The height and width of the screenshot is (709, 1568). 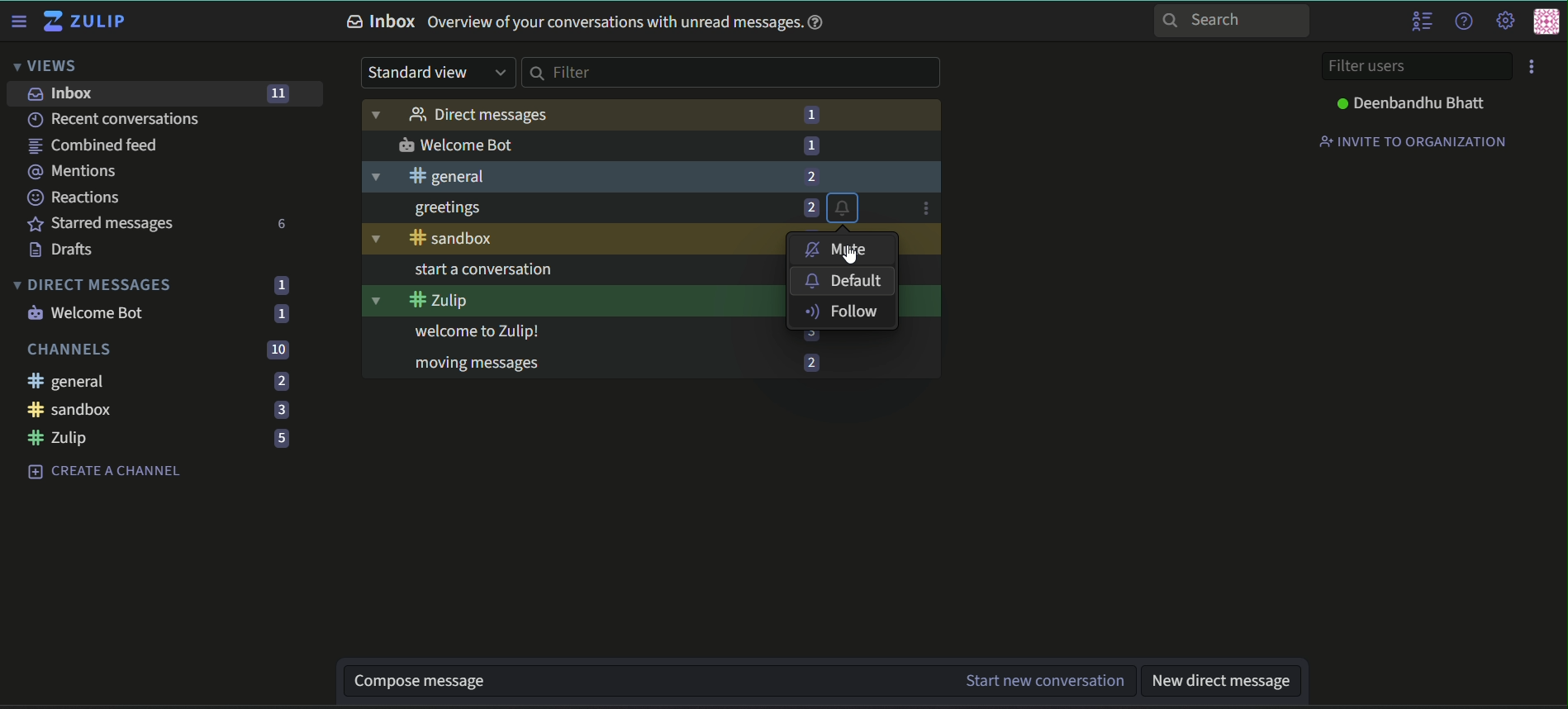 I want to click on Zulip, so click(x=86, y=21).